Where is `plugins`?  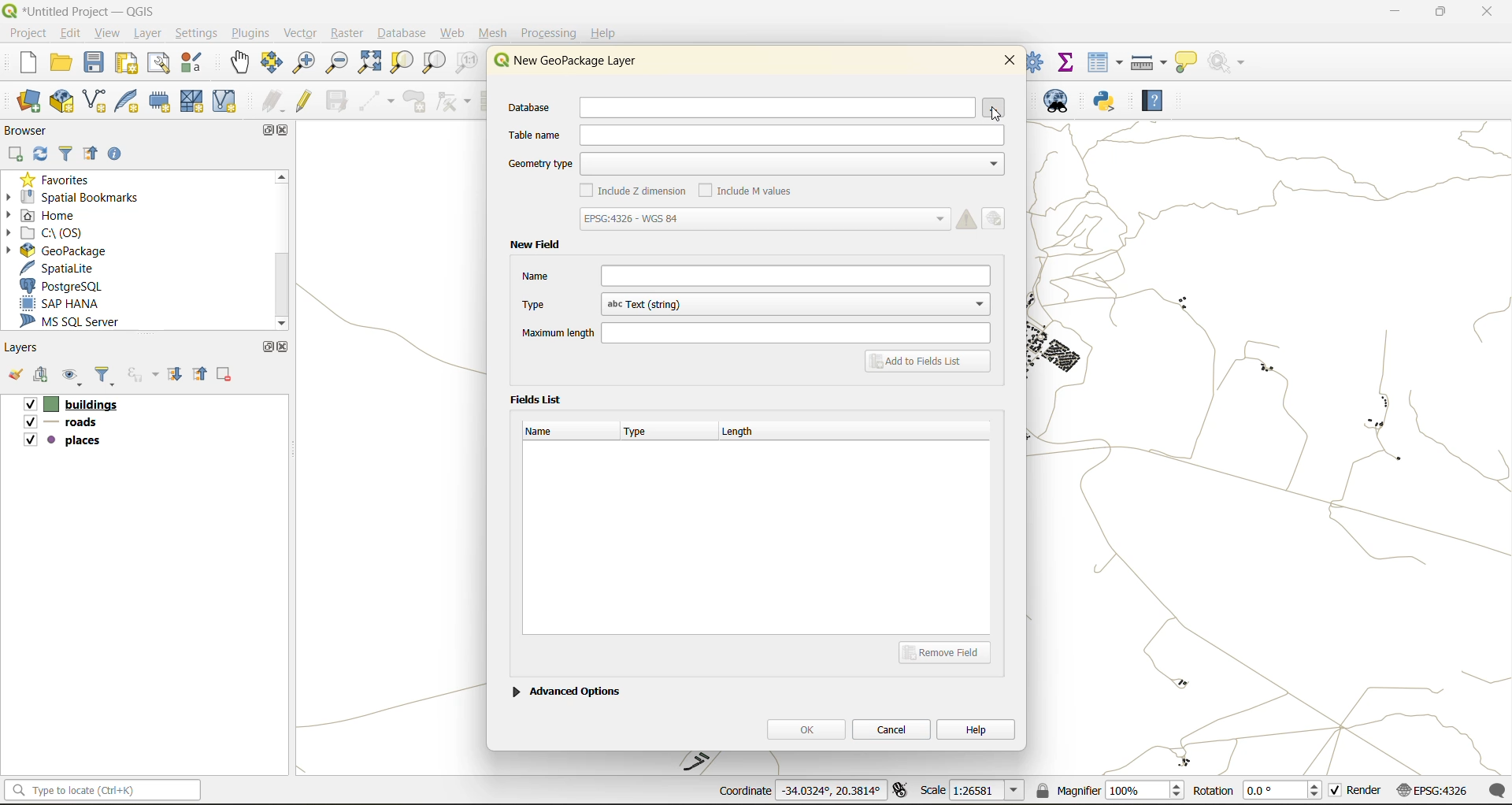
plugins is located at coordinates (250, 33).